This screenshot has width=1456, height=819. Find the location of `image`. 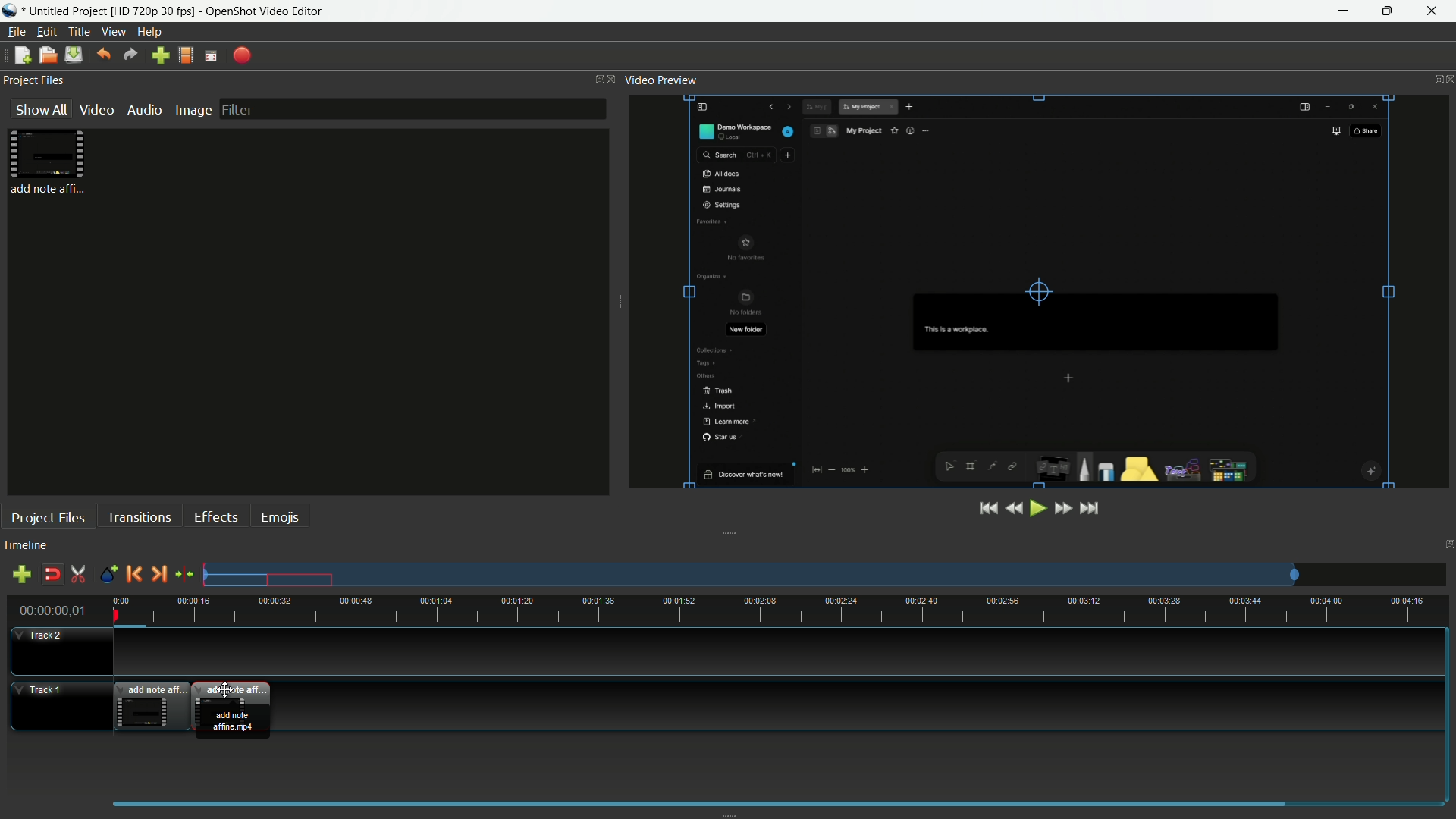

image is located at coordinates (193, 109).